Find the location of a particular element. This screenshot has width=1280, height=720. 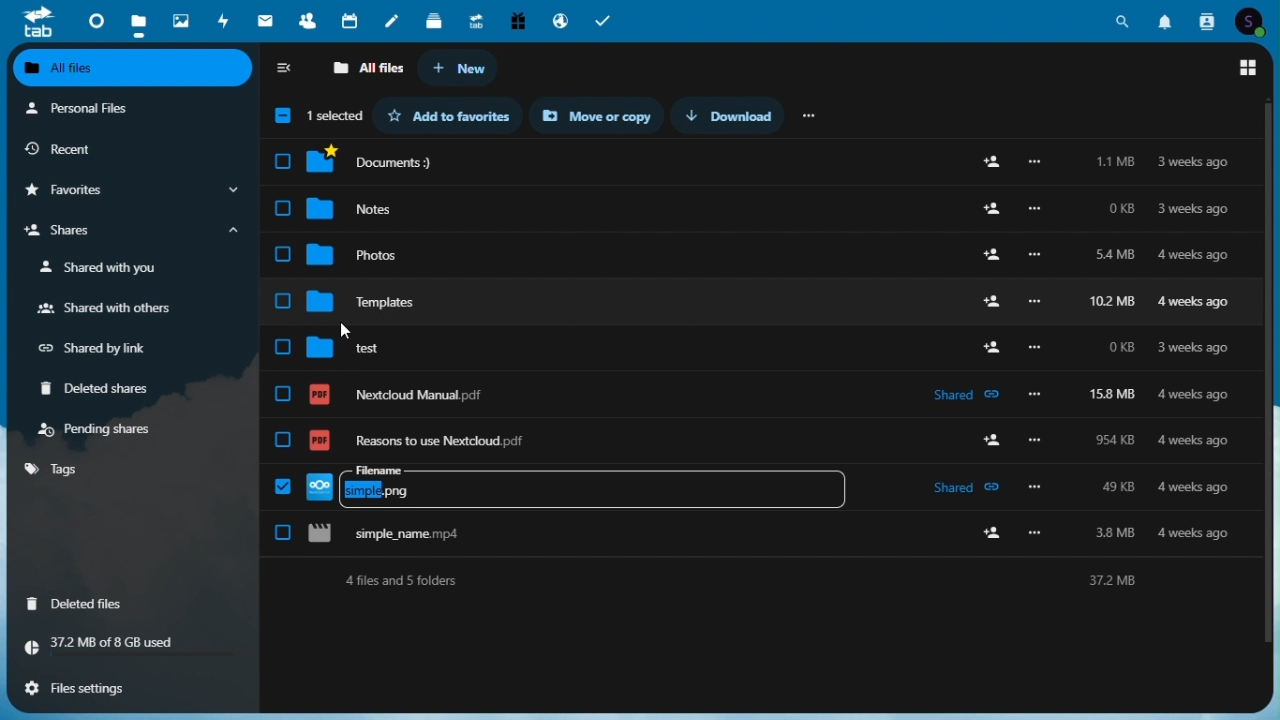

NextcloudManual.pdf 158 MB 4 weeks ago is located at coordinates (759, 385).